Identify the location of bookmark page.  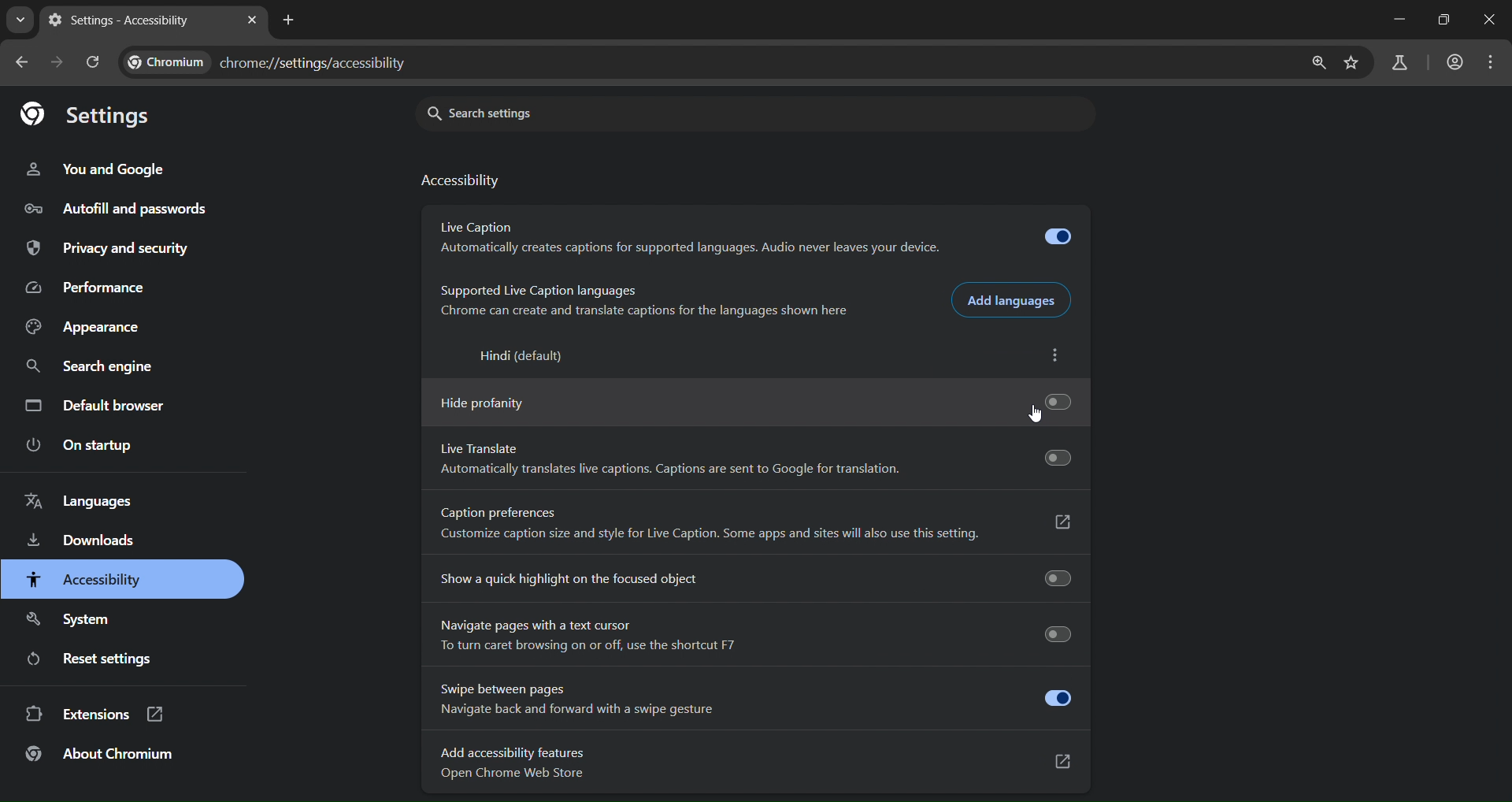
(1352, 62).